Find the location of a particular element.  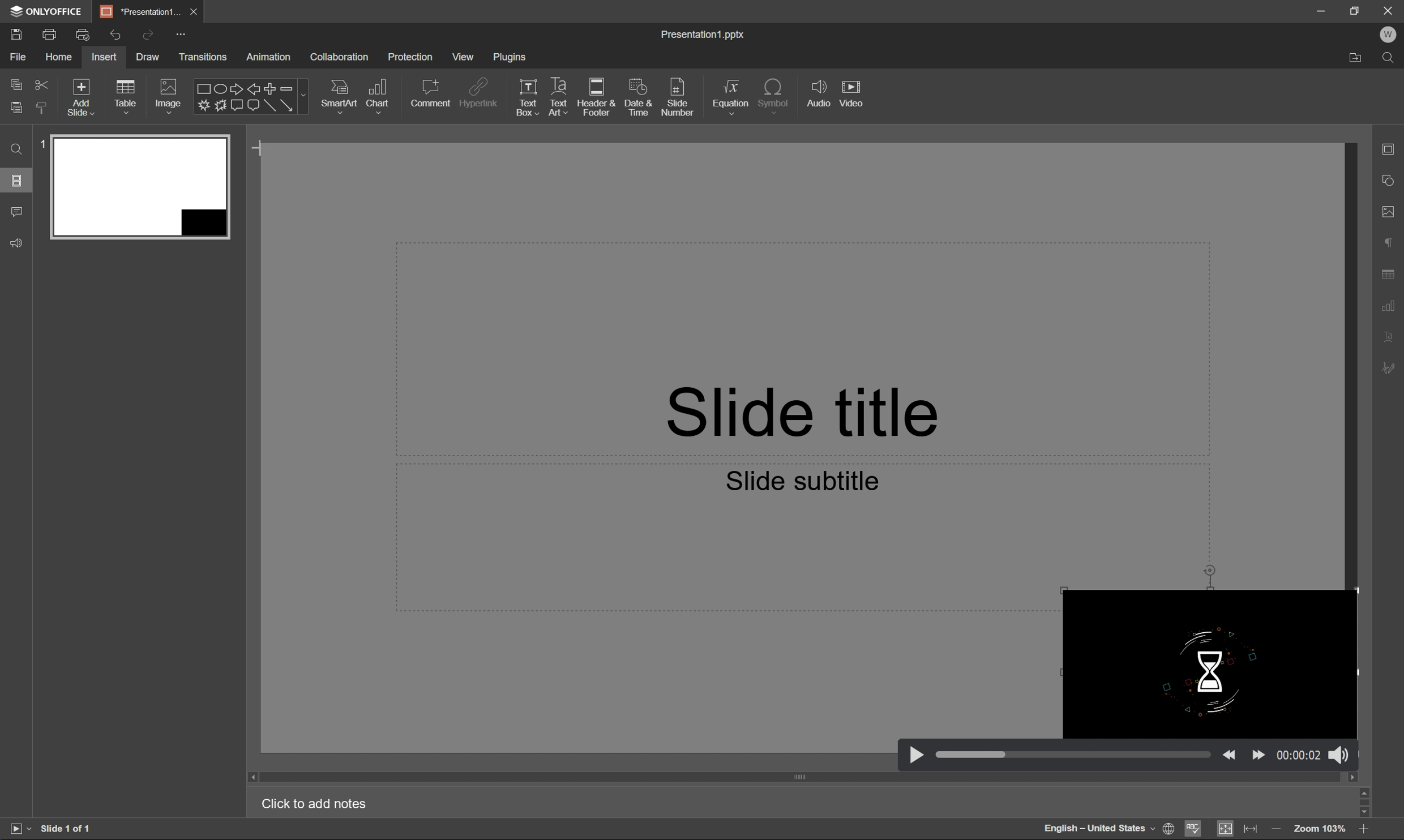

add slide is located at coordinates (82, 96).